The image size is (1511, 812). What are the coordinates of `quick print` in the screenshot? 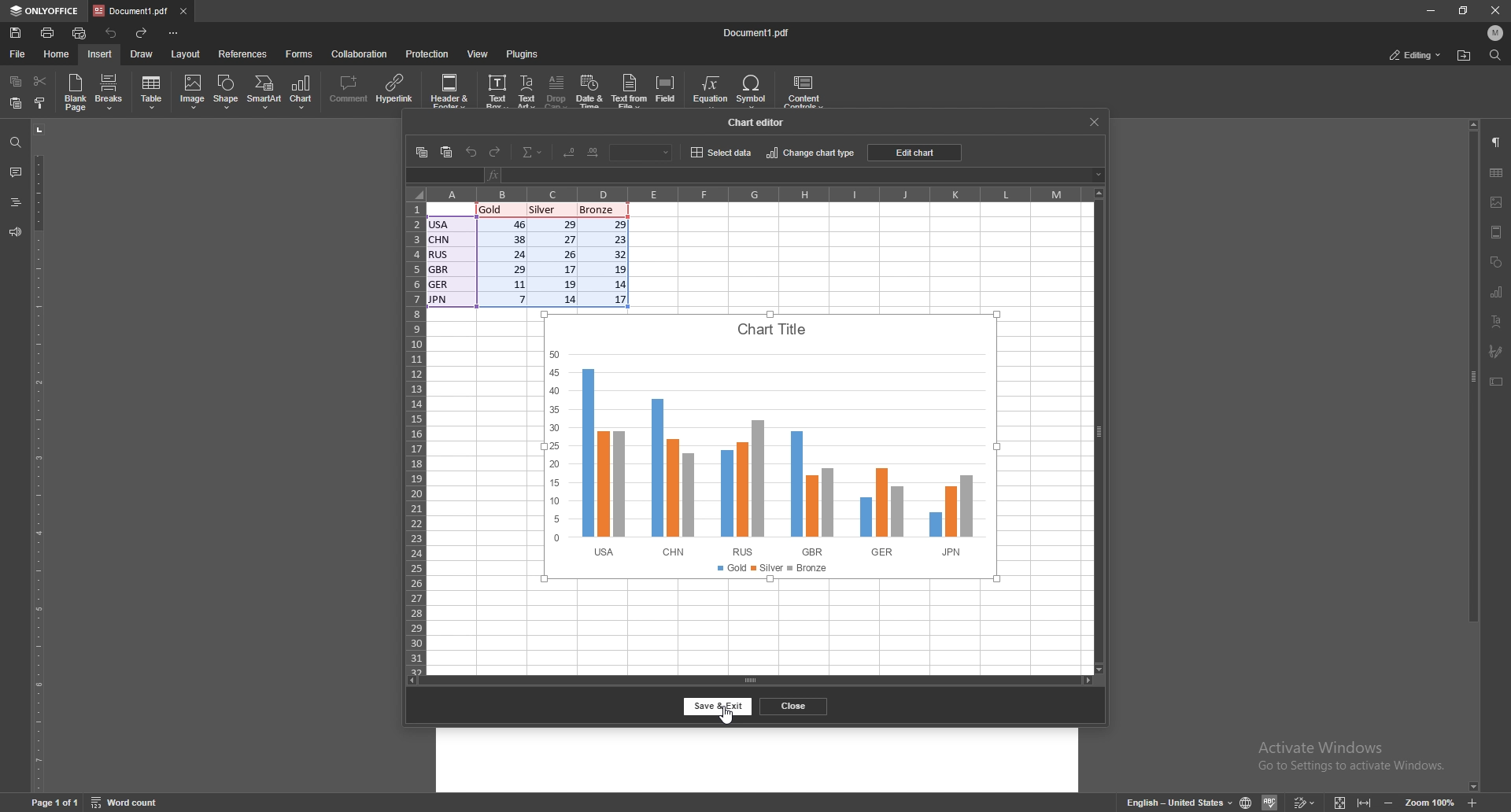 It's located at (79, 33).